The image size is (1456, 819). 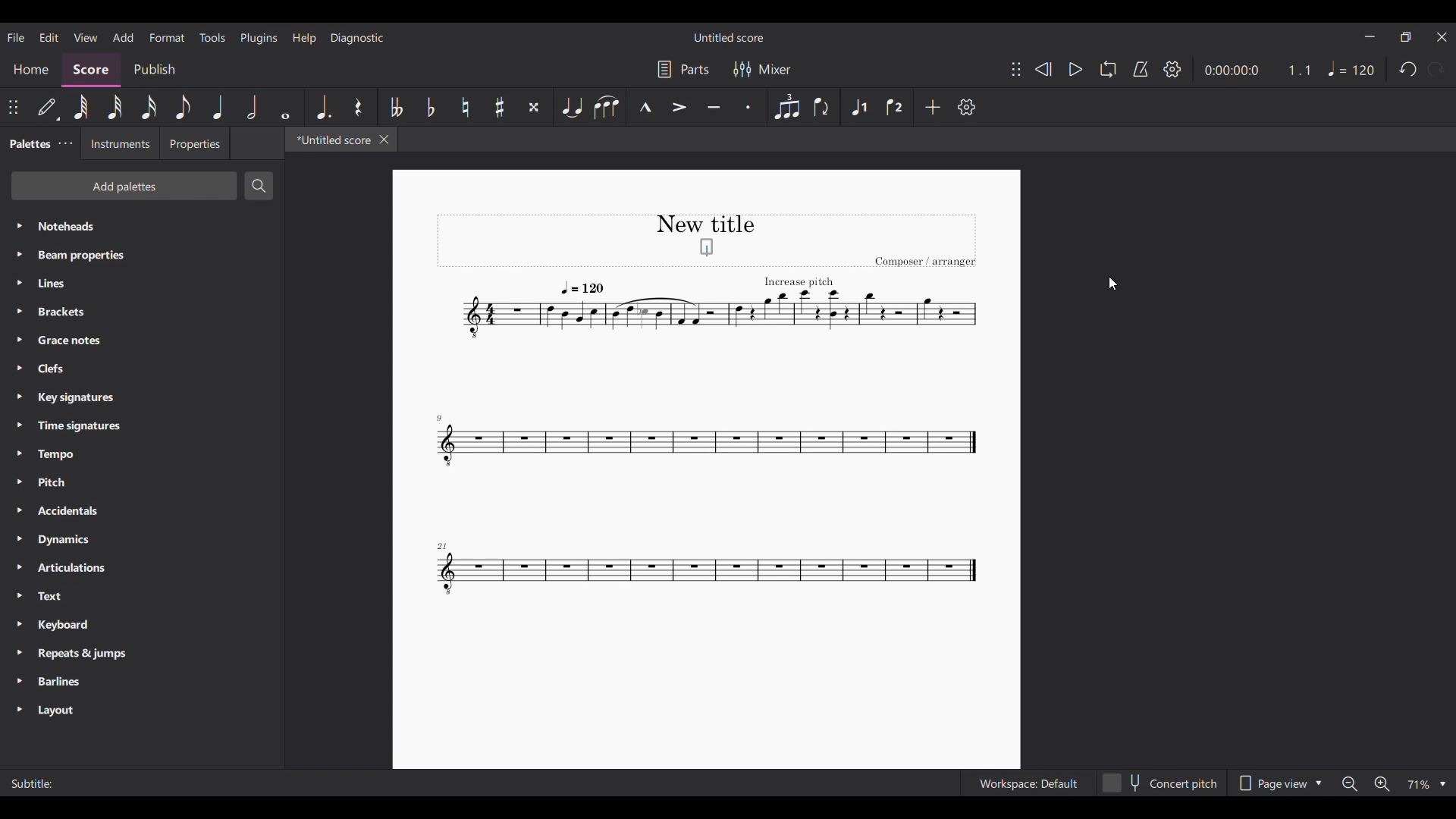 What do you see at coordinates (184, 107) in the screenshot?
I see `8th note` at bounding box center [184, 107].